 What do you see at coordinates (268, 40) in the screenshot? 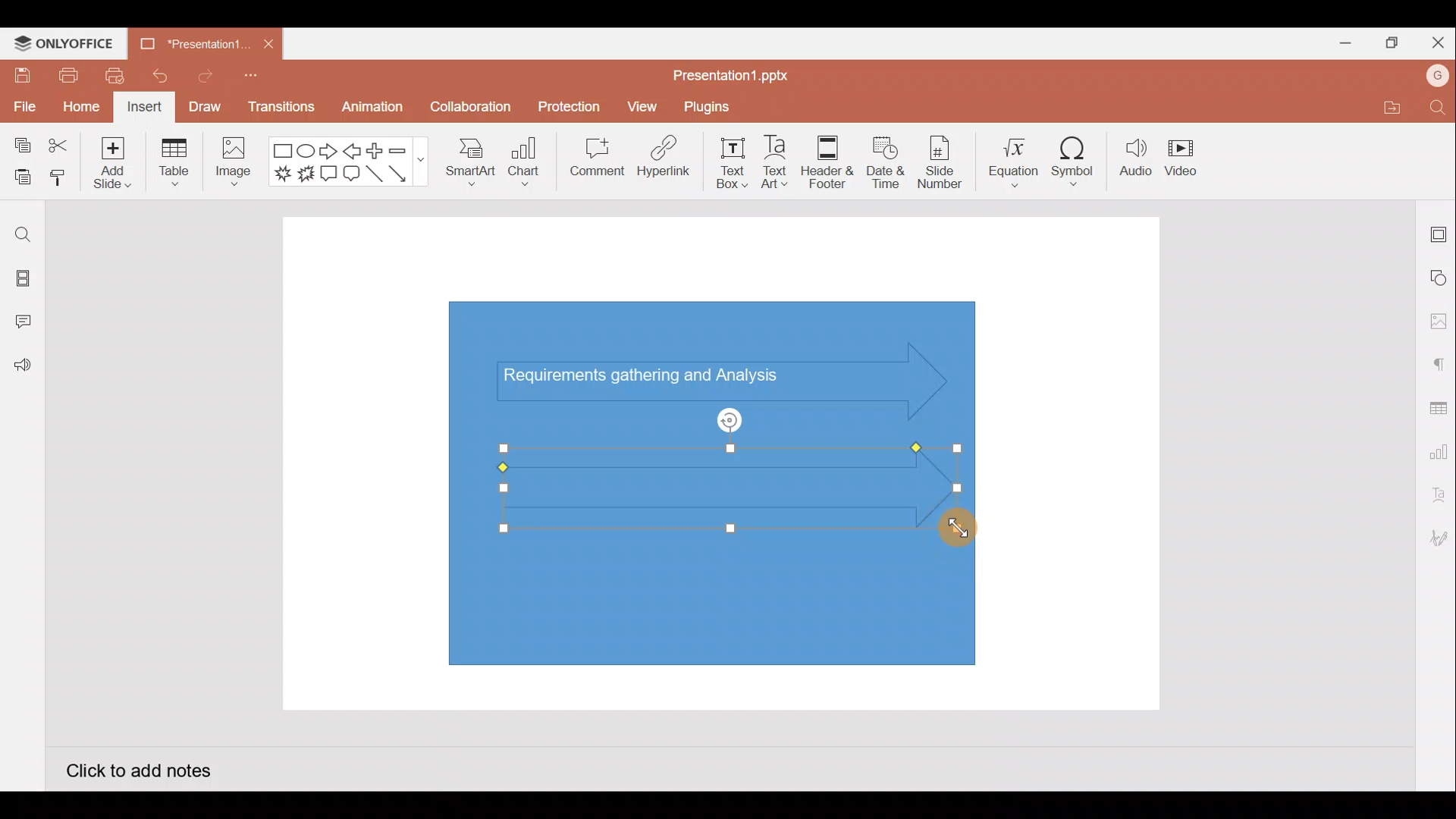
I see `Close document` at bounding box center [268, 40].